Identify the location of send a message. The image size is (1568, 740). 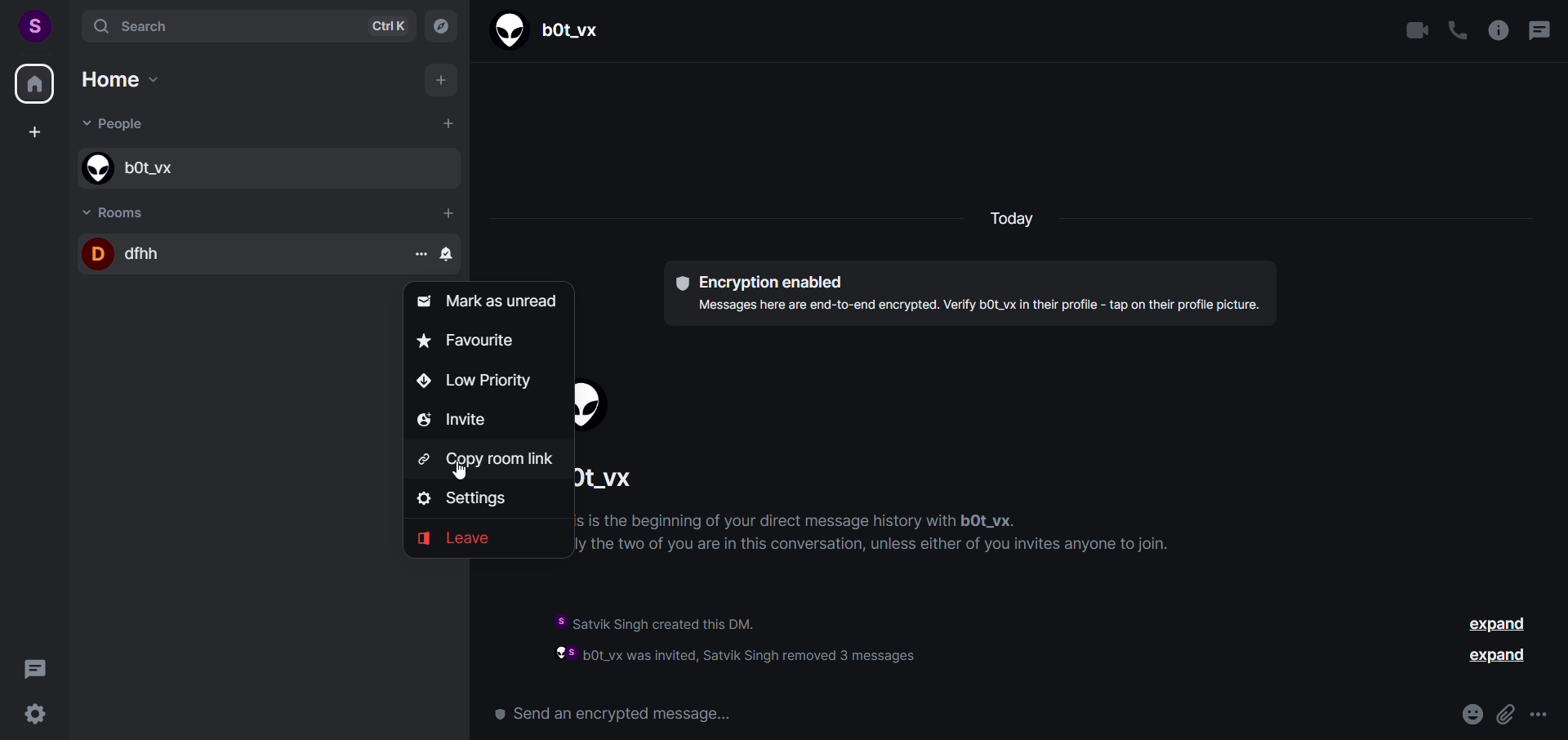
(626, 711).